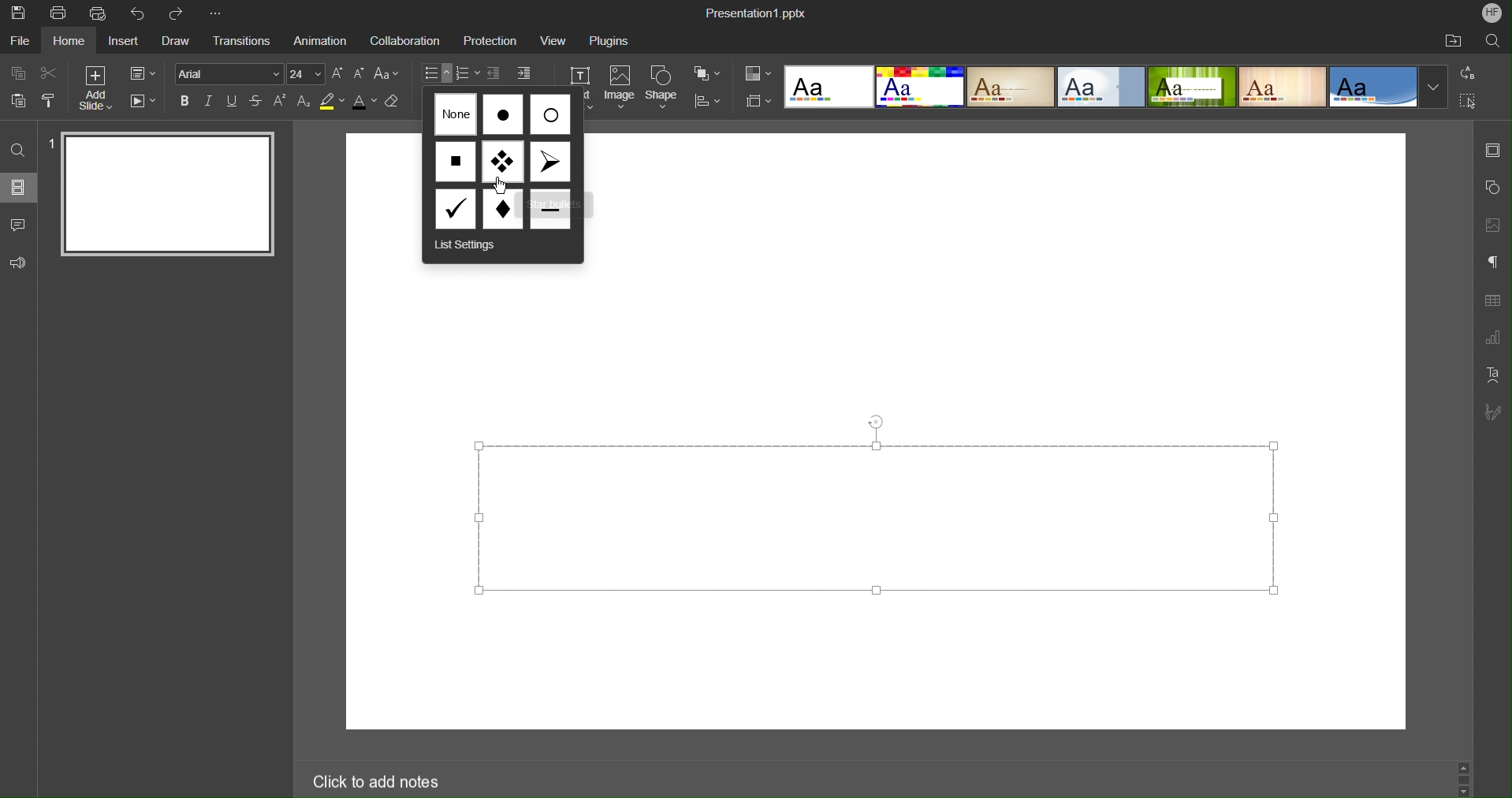 The height and width of the screenshot is (798, 1512). I want to click on slide number, so click(50, 144).